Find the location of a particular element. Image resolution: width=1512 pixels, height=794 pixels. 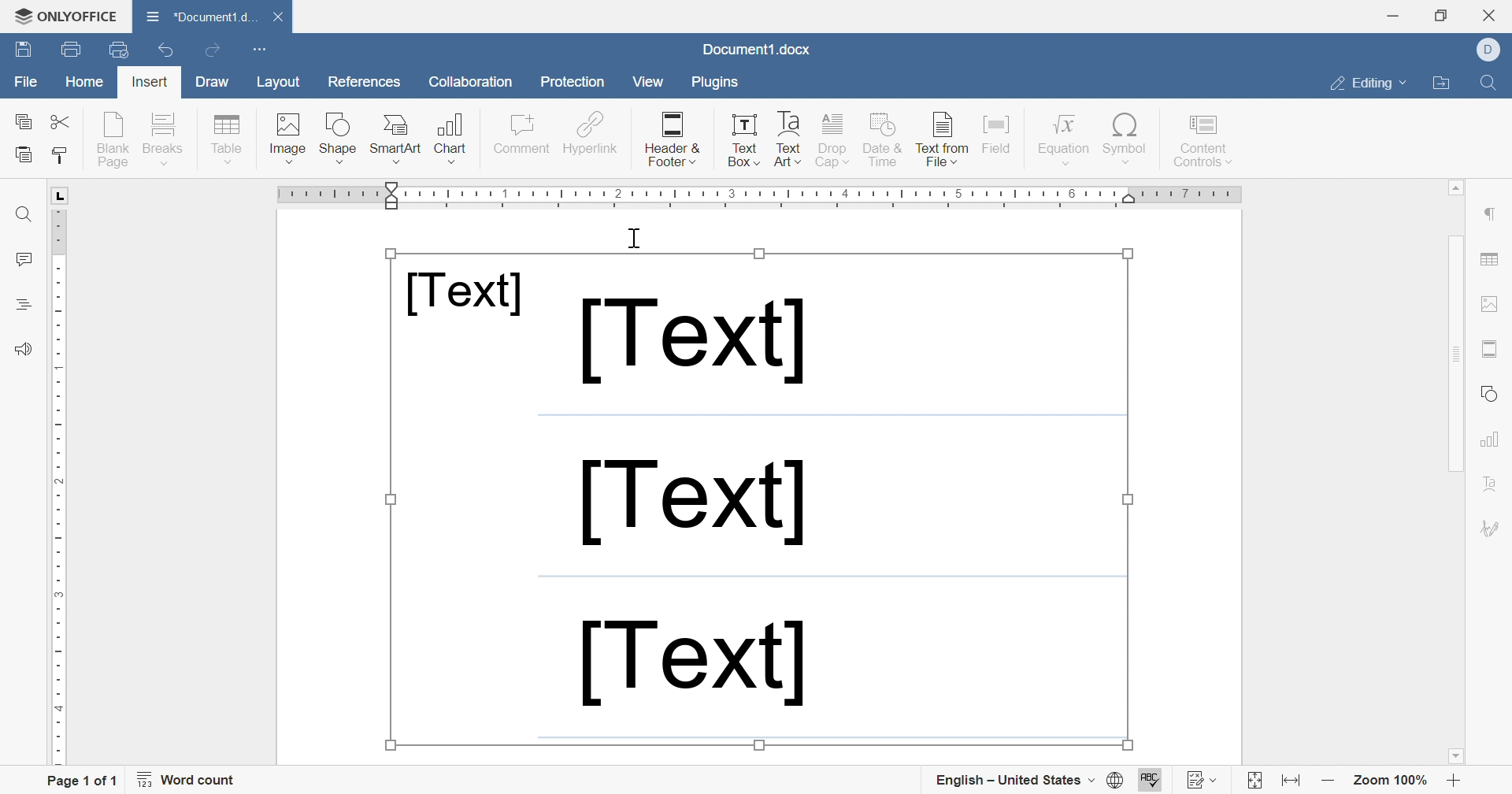

Find is located at coordinates (1492, 82).